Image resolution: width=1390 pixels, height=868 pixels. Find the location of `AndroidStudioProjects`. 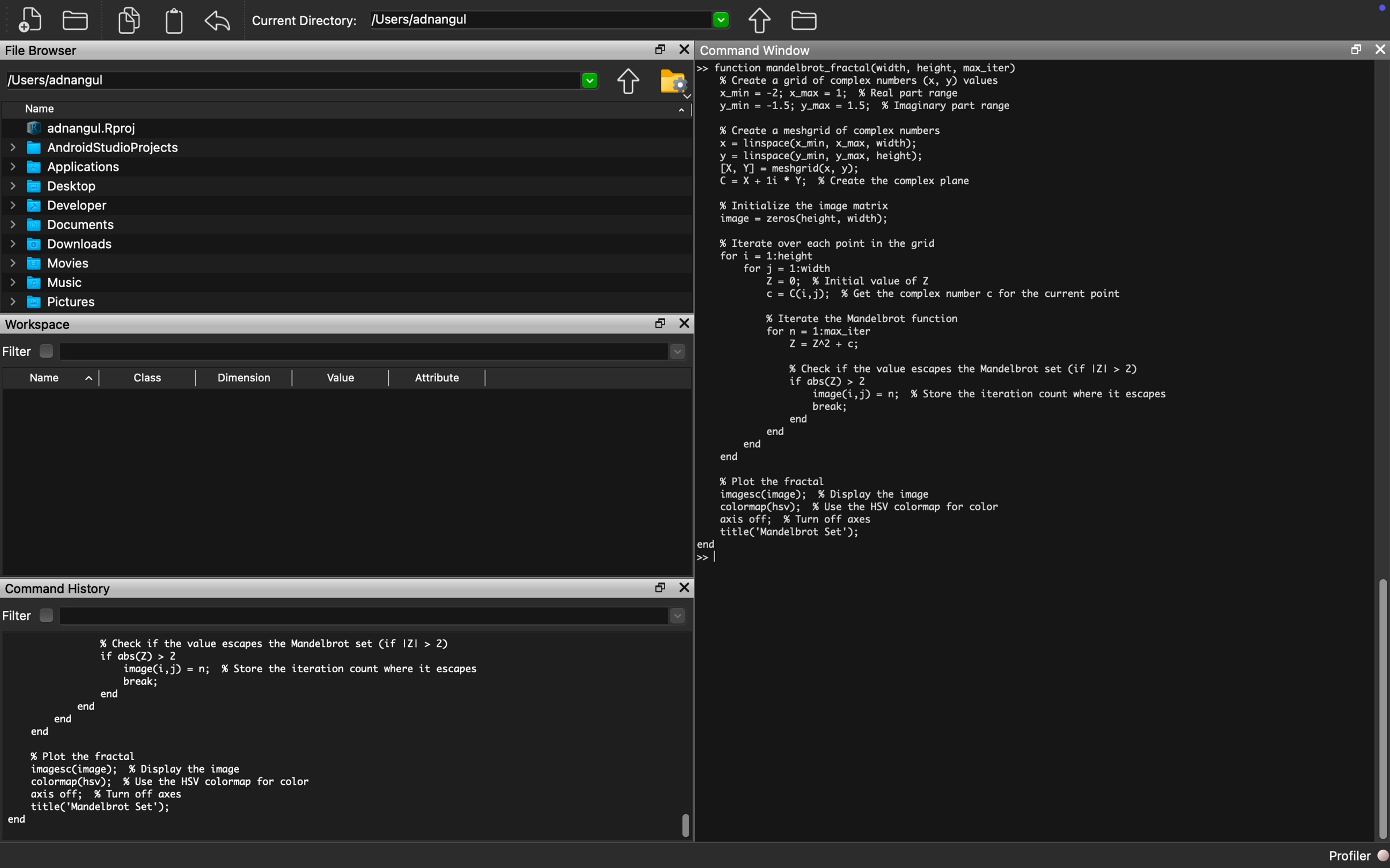

AndroidStudioProjects is located at coordinates (94, 148).